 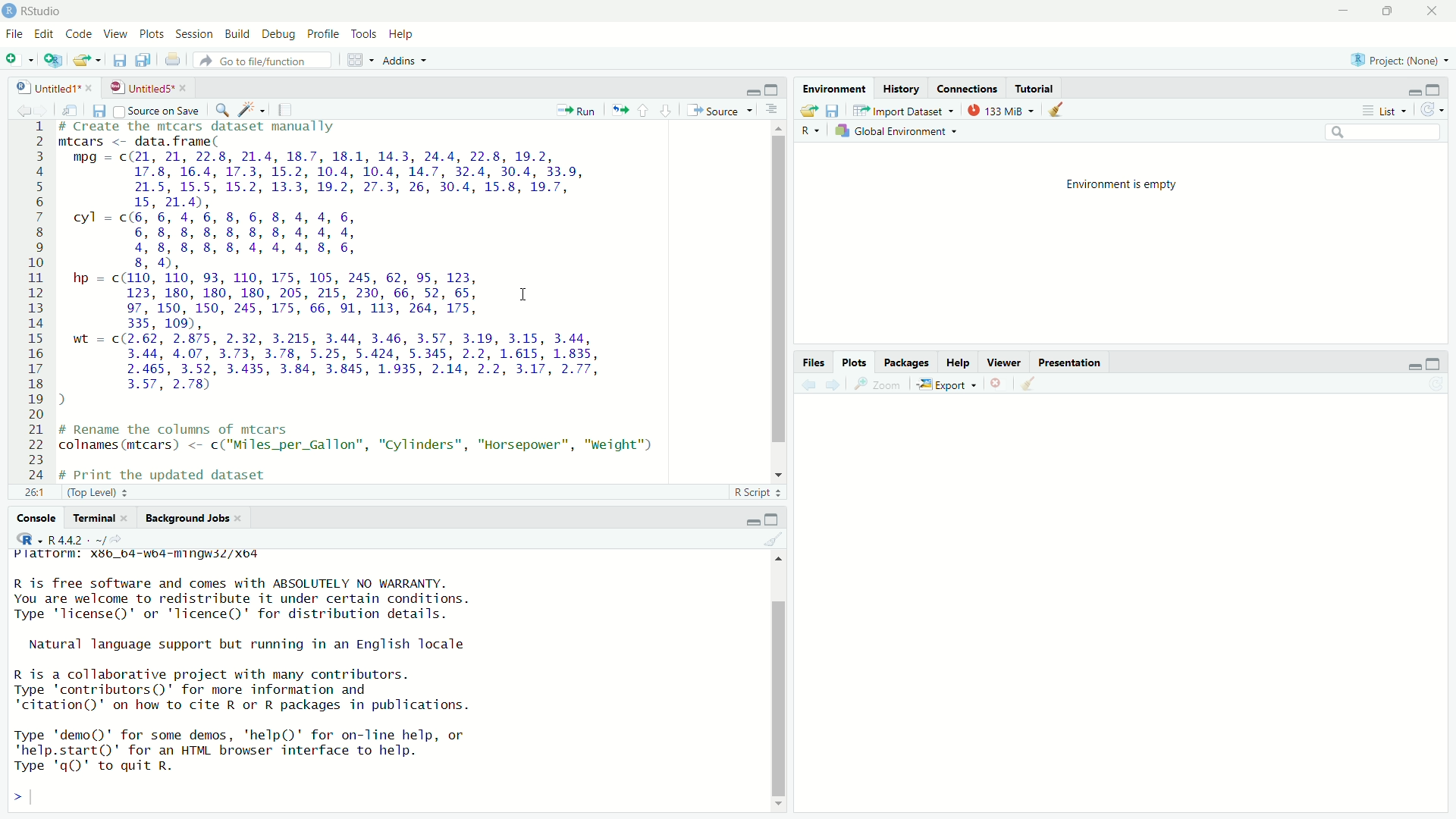 What do you see at coordinates (86, 491) in the screenshot?
I see `26:1 (Top Level) =` at bounding box center [86, 491].